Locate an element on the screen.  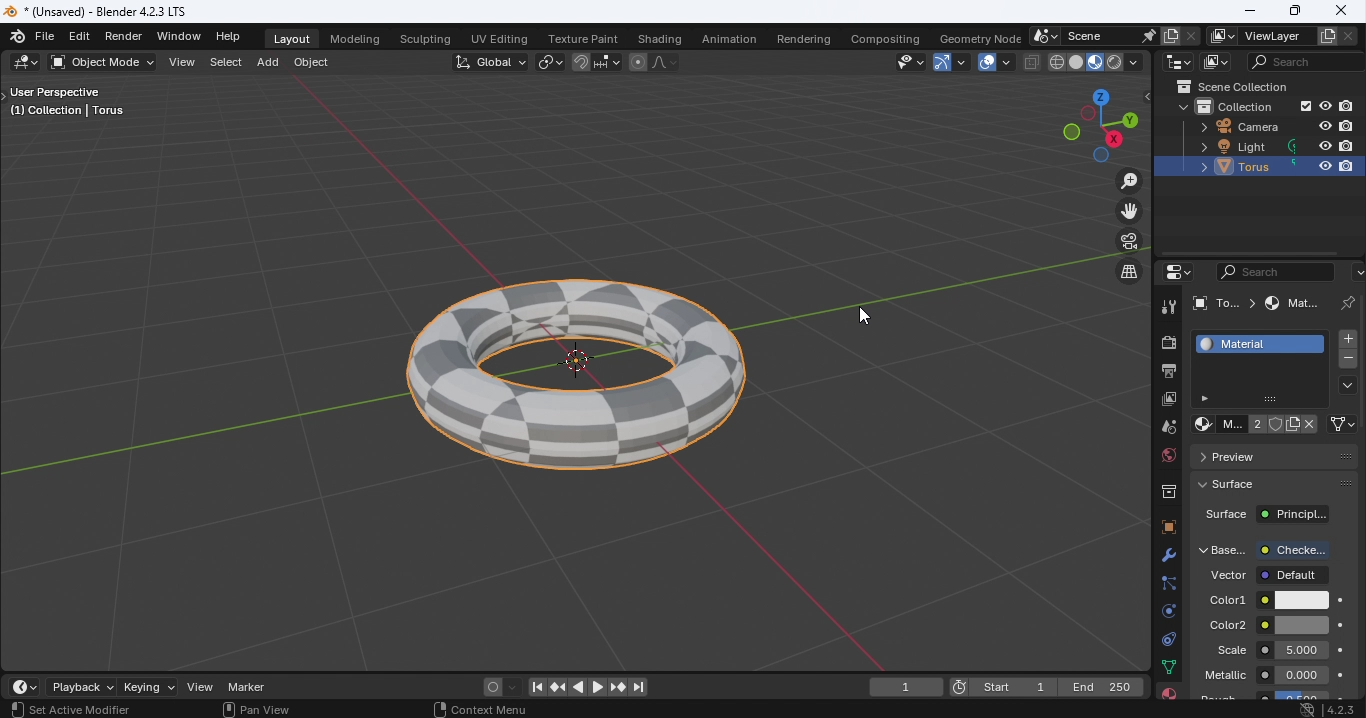
Light is located at coordinates (1219, 147).